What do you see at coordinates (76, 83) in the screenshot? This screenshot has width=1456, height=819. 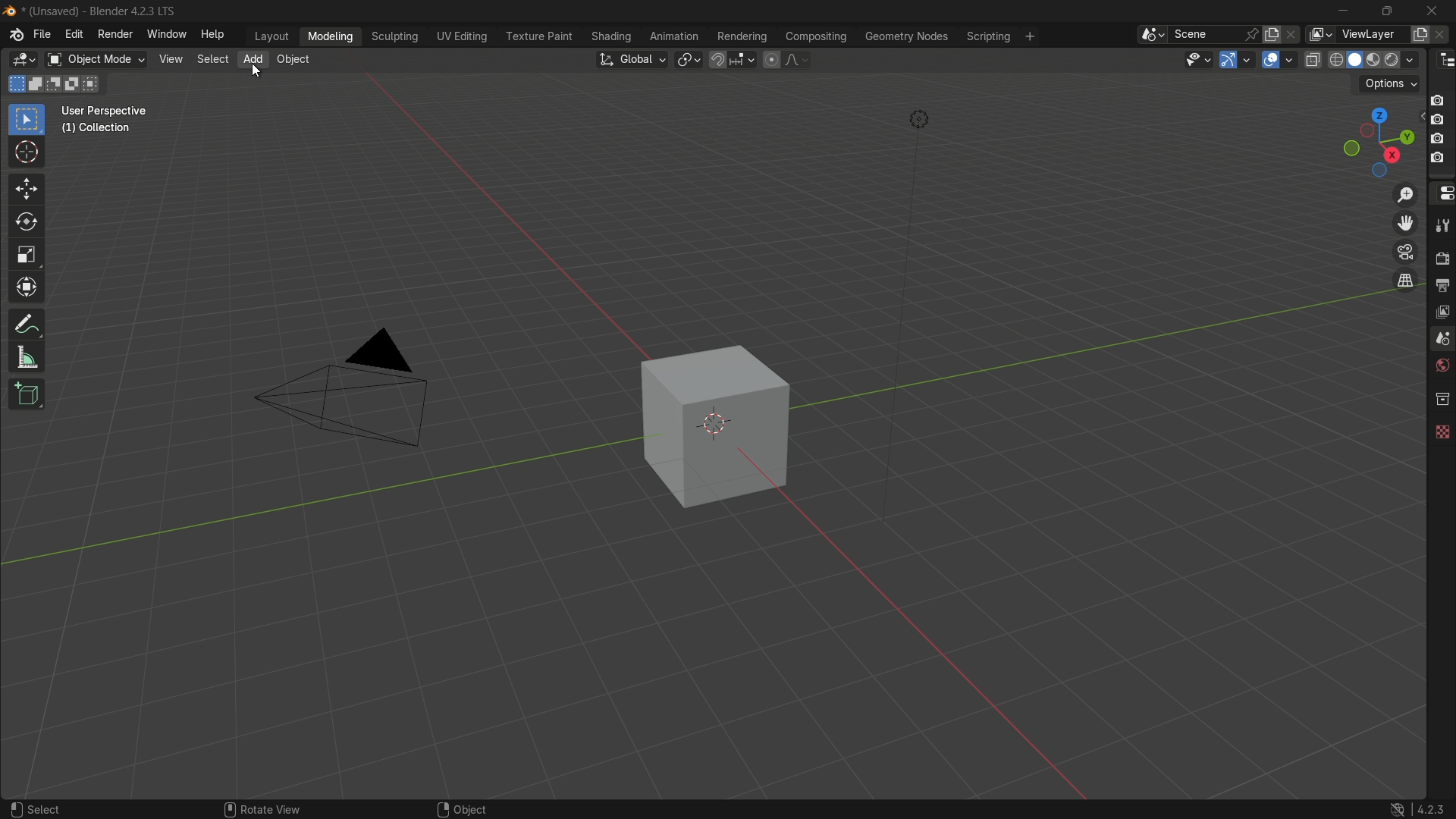 I see `invert existing selection` at bounding box center [76, 83].